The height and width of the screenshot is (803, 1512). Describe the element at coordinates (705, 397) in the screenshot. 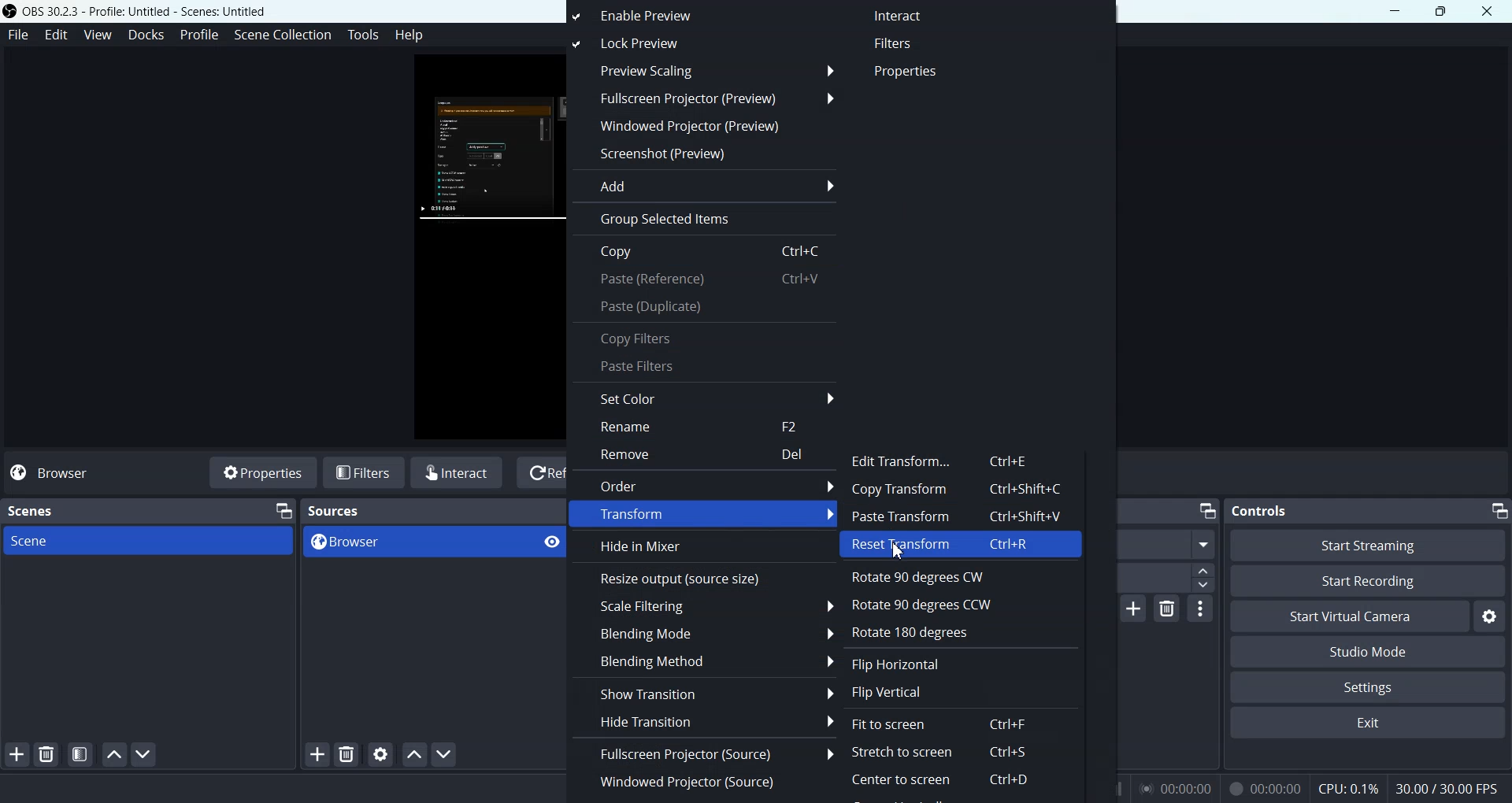

I see `Set Color` at that location.